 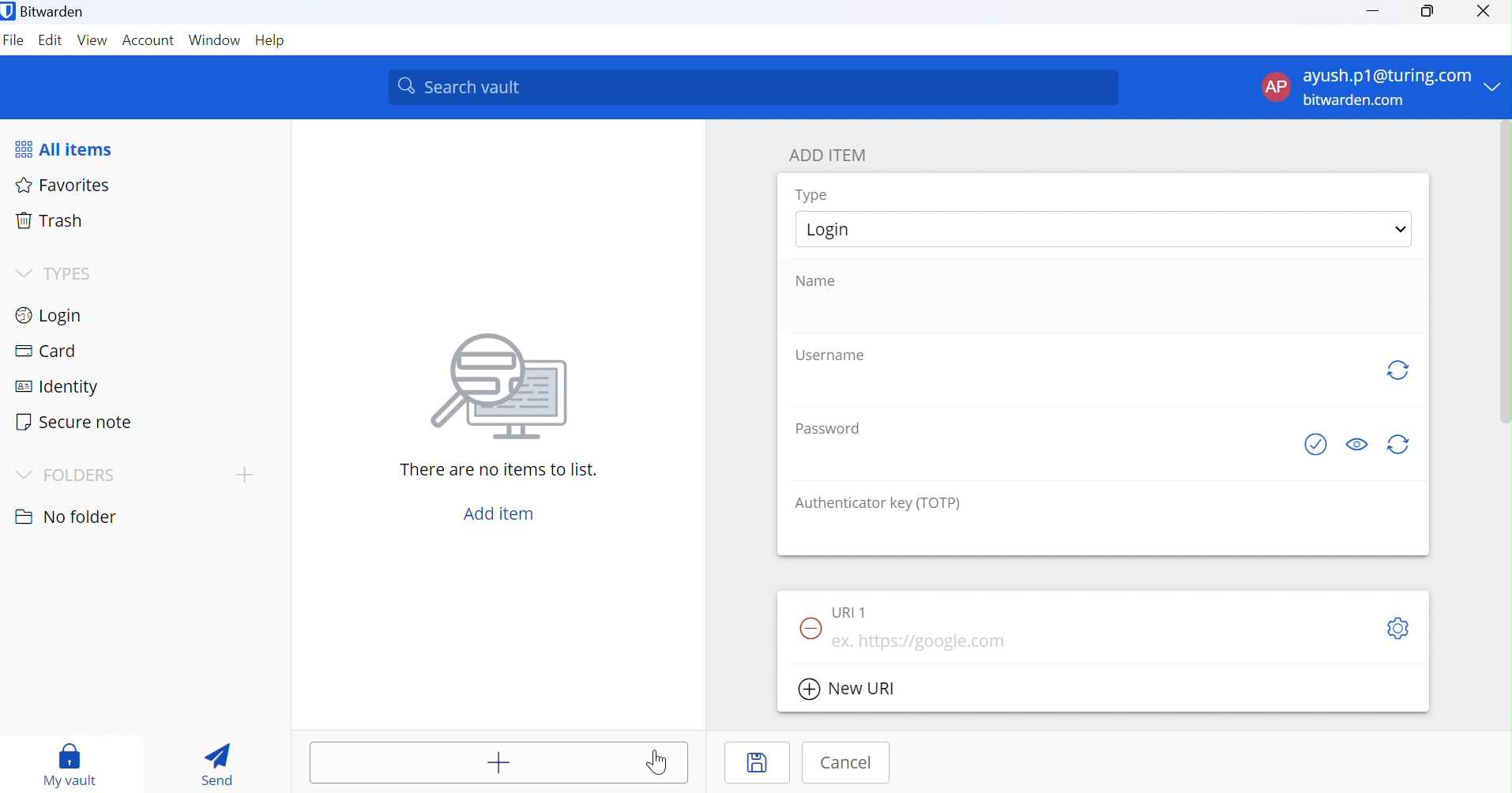 I want to click on All items, so click(x=74, y=147).